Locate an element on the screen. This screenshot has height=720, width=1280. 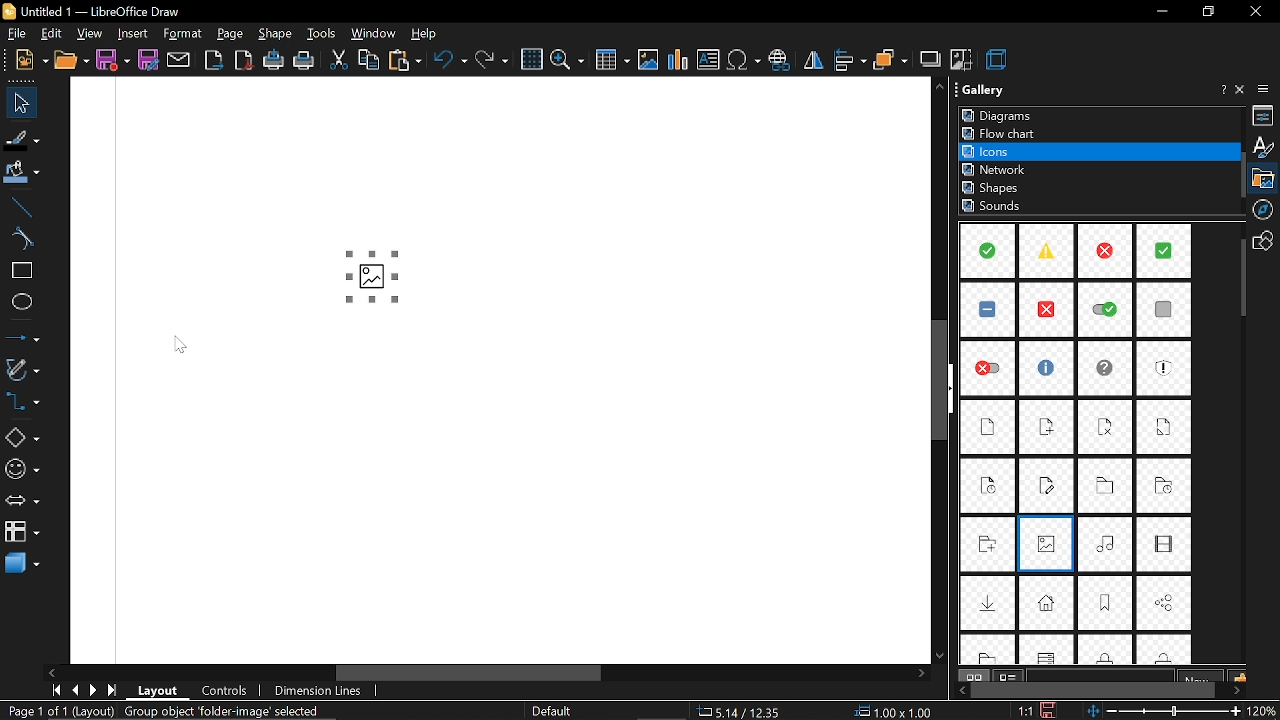
help is located at coordinates (1221, 92).